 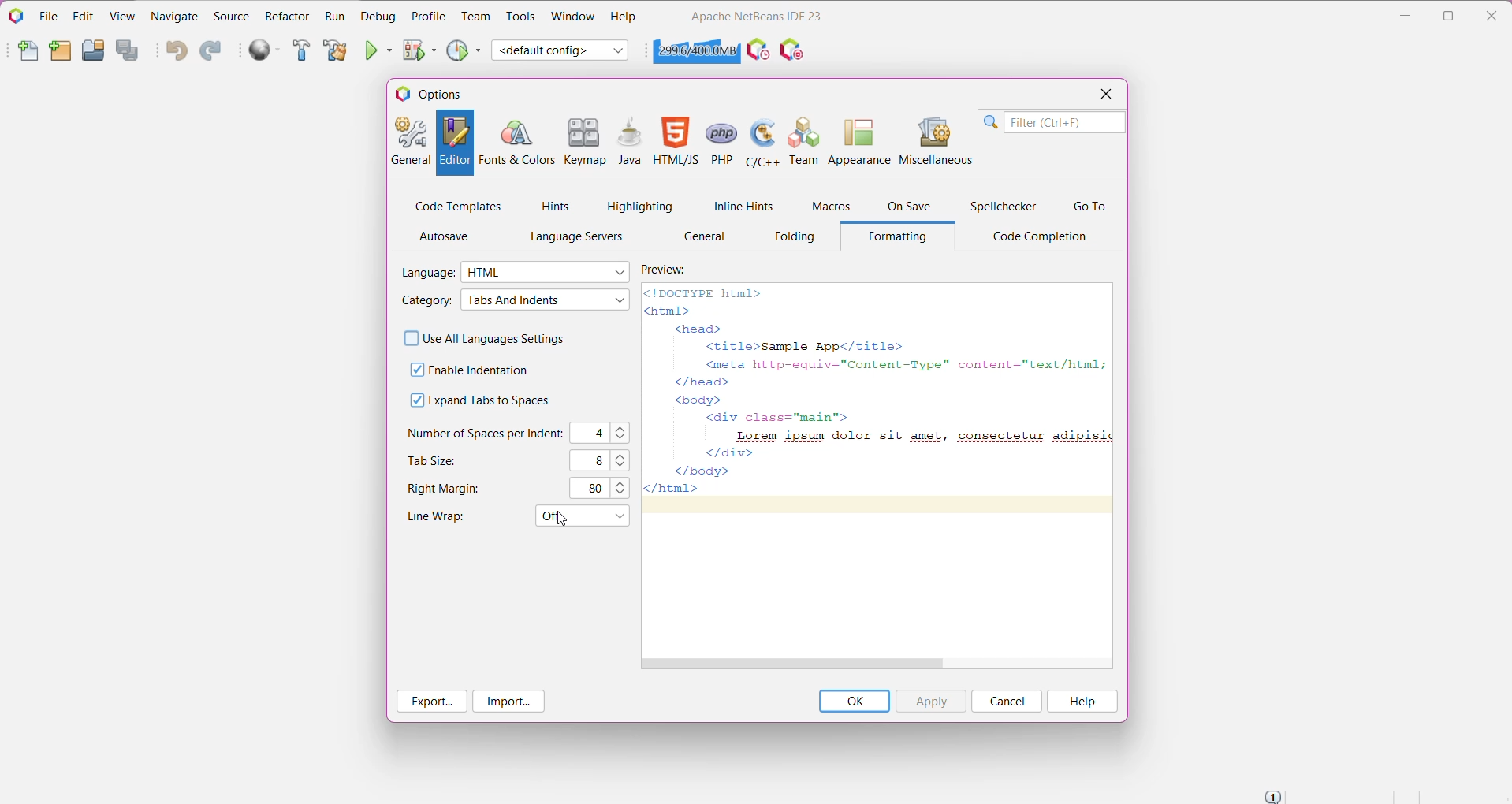 What do you see at coordinates (696, 329) in the screenshot?
I see `<head>` at bounding box center [696, 329].